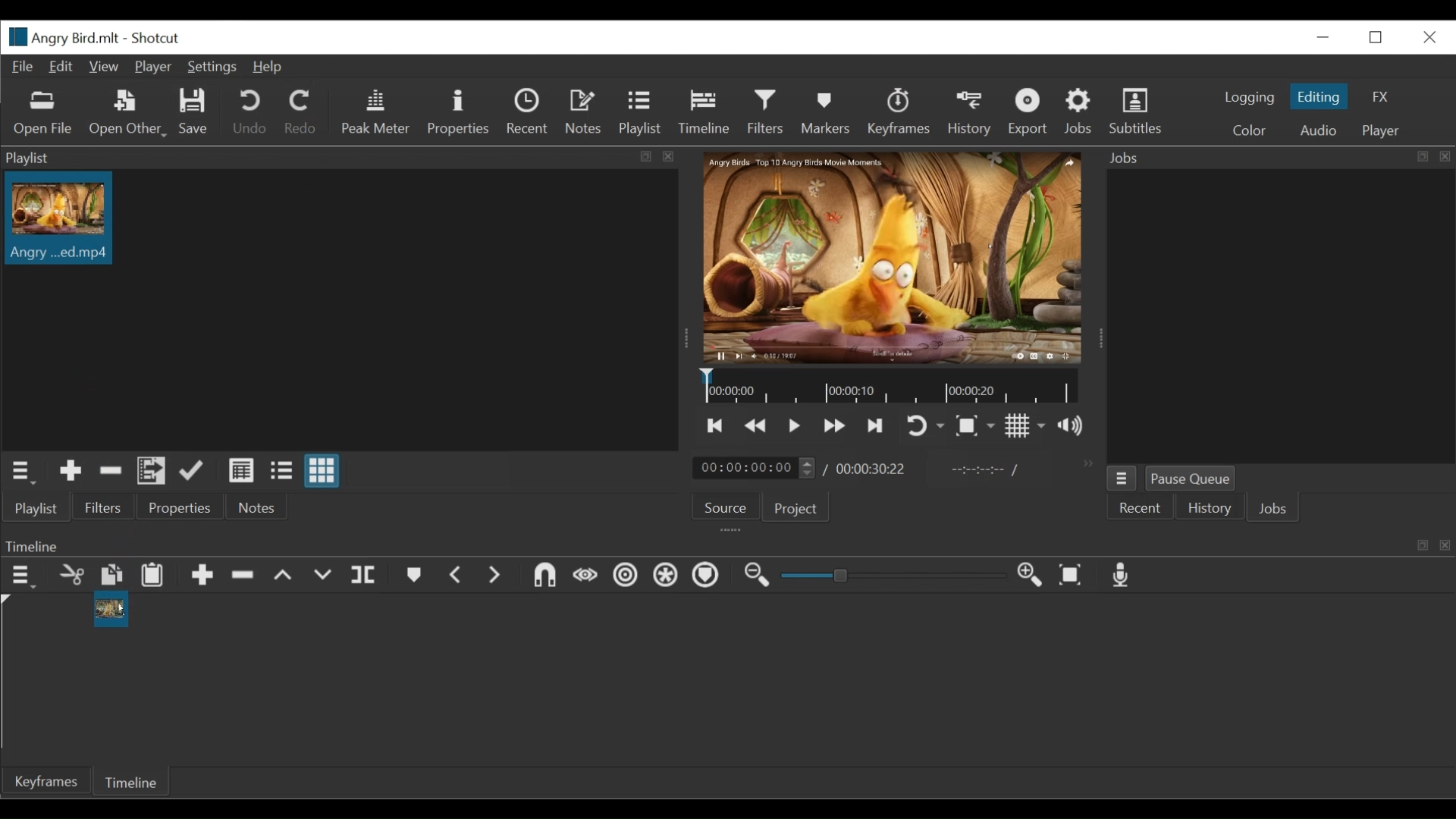 Image resolution: width=1456 pixels, height=819 pixels. What do you see at coordinates (192, 470) in the screenshot?
I see `Update` at bounding box center [192, 470].